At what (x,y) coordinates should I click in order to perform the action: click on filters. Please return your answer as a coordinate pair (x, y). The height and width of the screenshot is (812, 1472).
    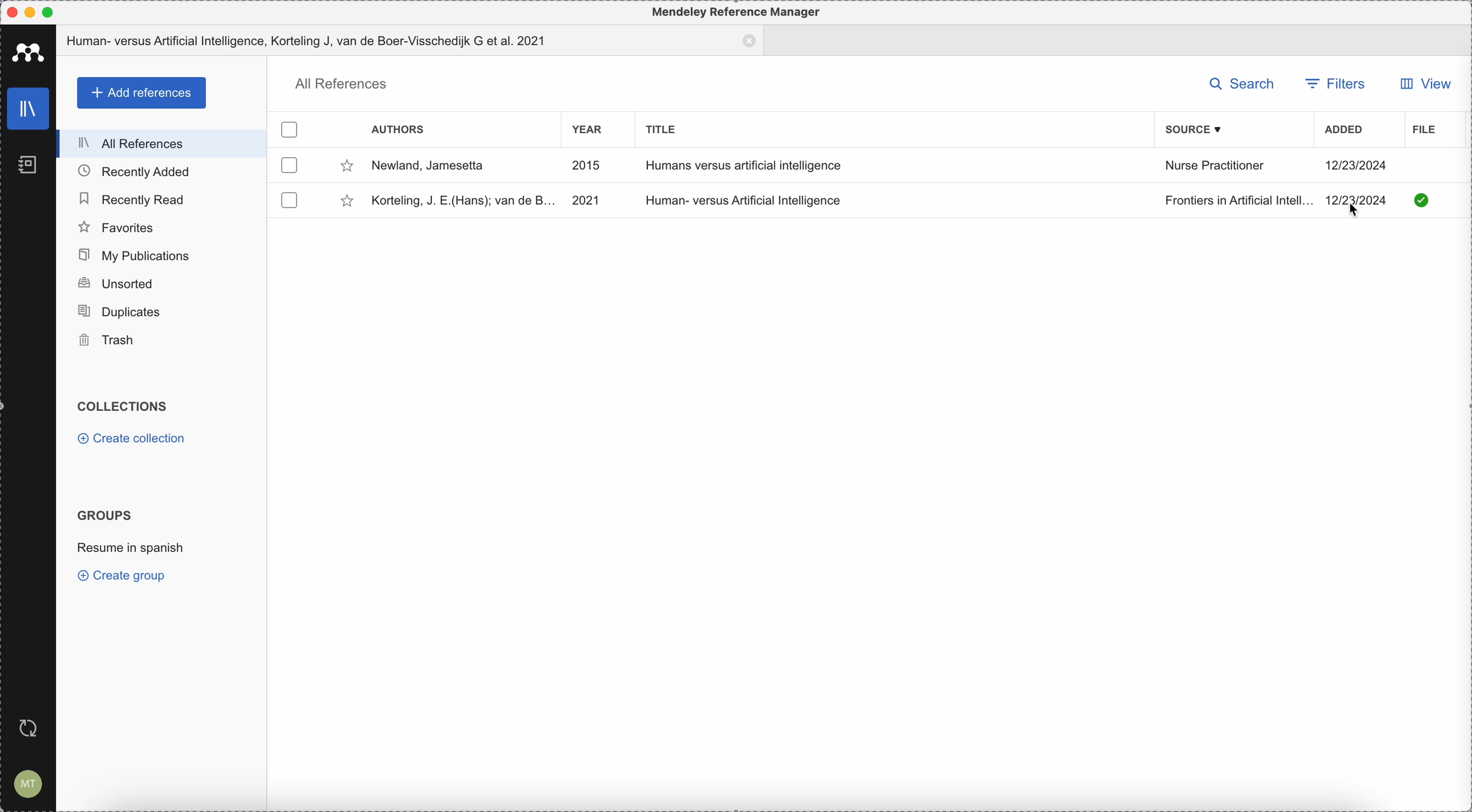
    Looking at the image, I should click on (1331, 82).